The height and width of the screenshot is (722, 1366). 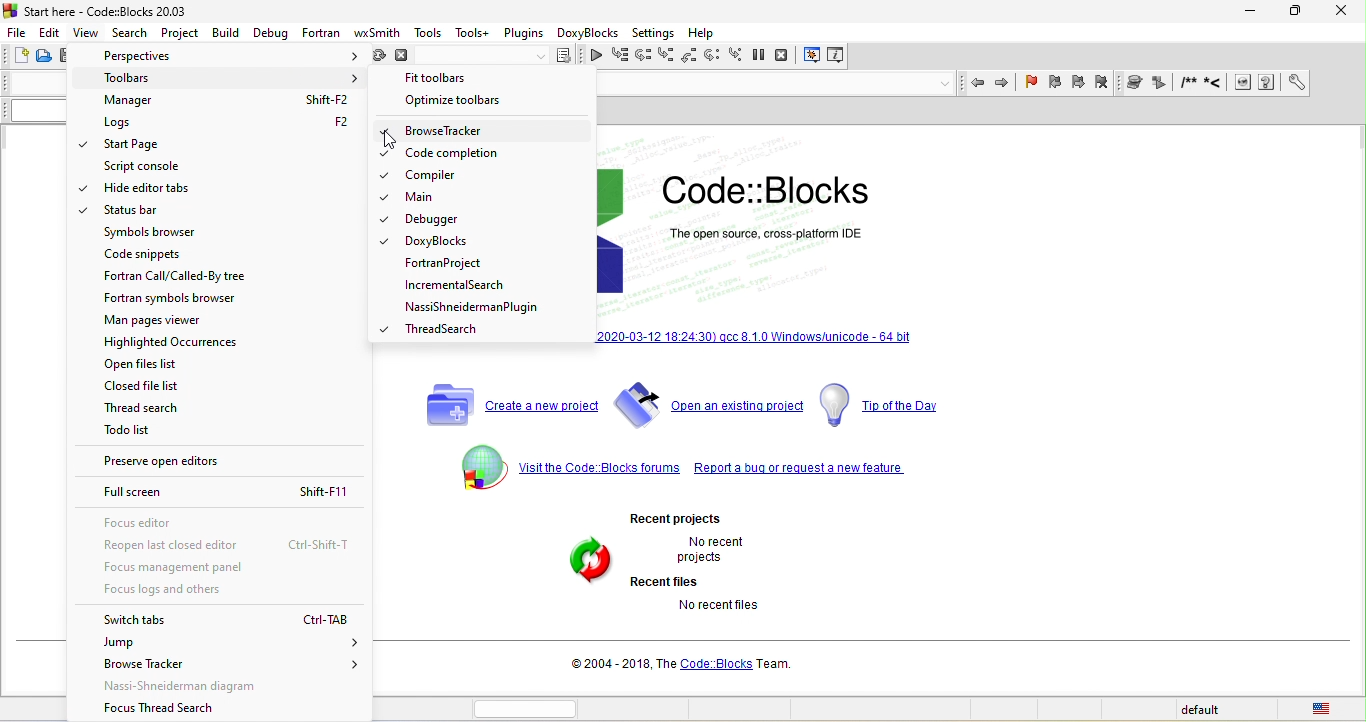 I want to click on status bar, so click(x=139, y=213).